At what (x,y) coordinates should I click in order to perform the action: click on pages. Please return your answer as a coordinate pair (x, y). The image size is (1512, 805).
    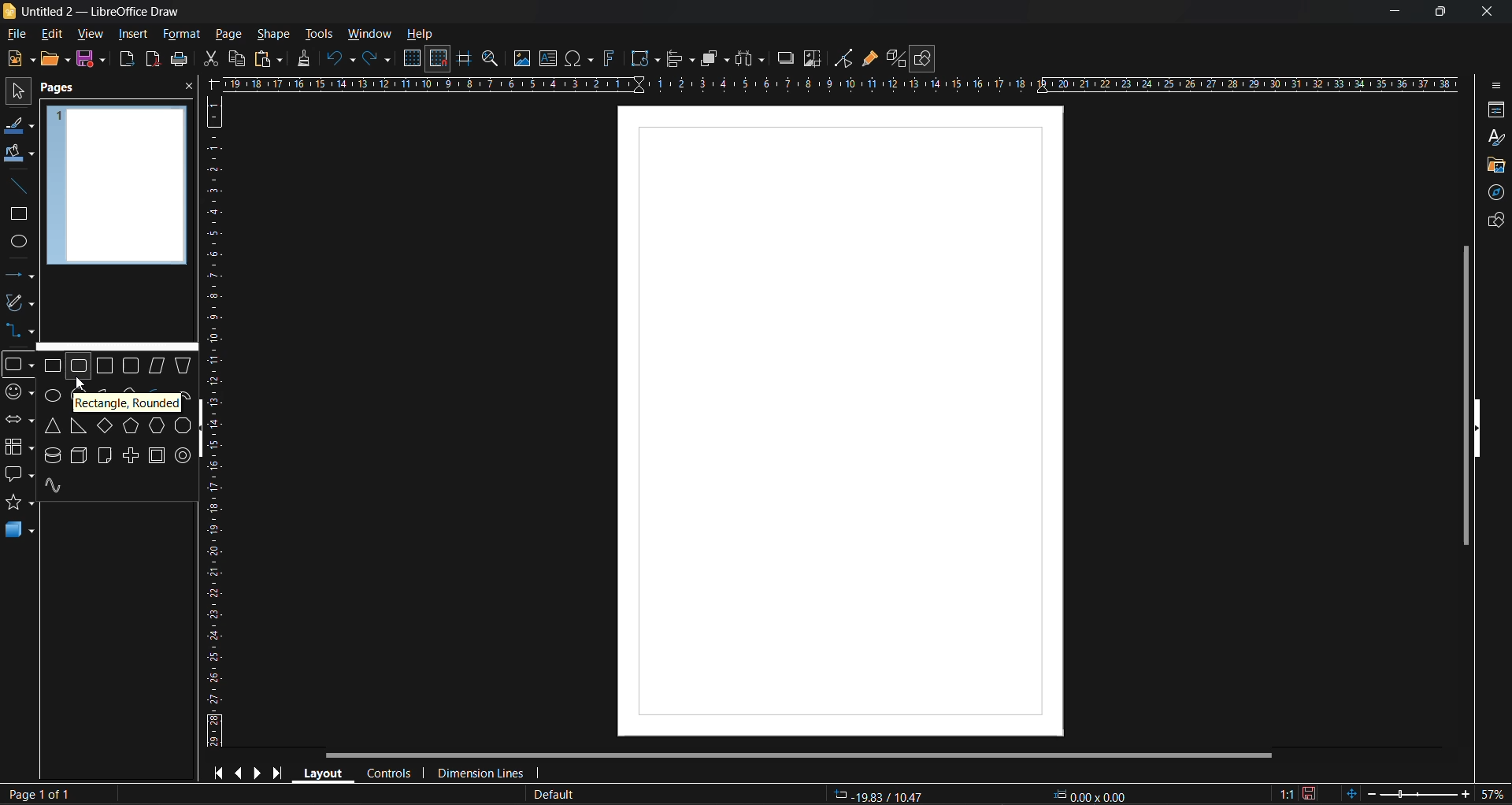
    Looking at the image, I should click on (60, 89).